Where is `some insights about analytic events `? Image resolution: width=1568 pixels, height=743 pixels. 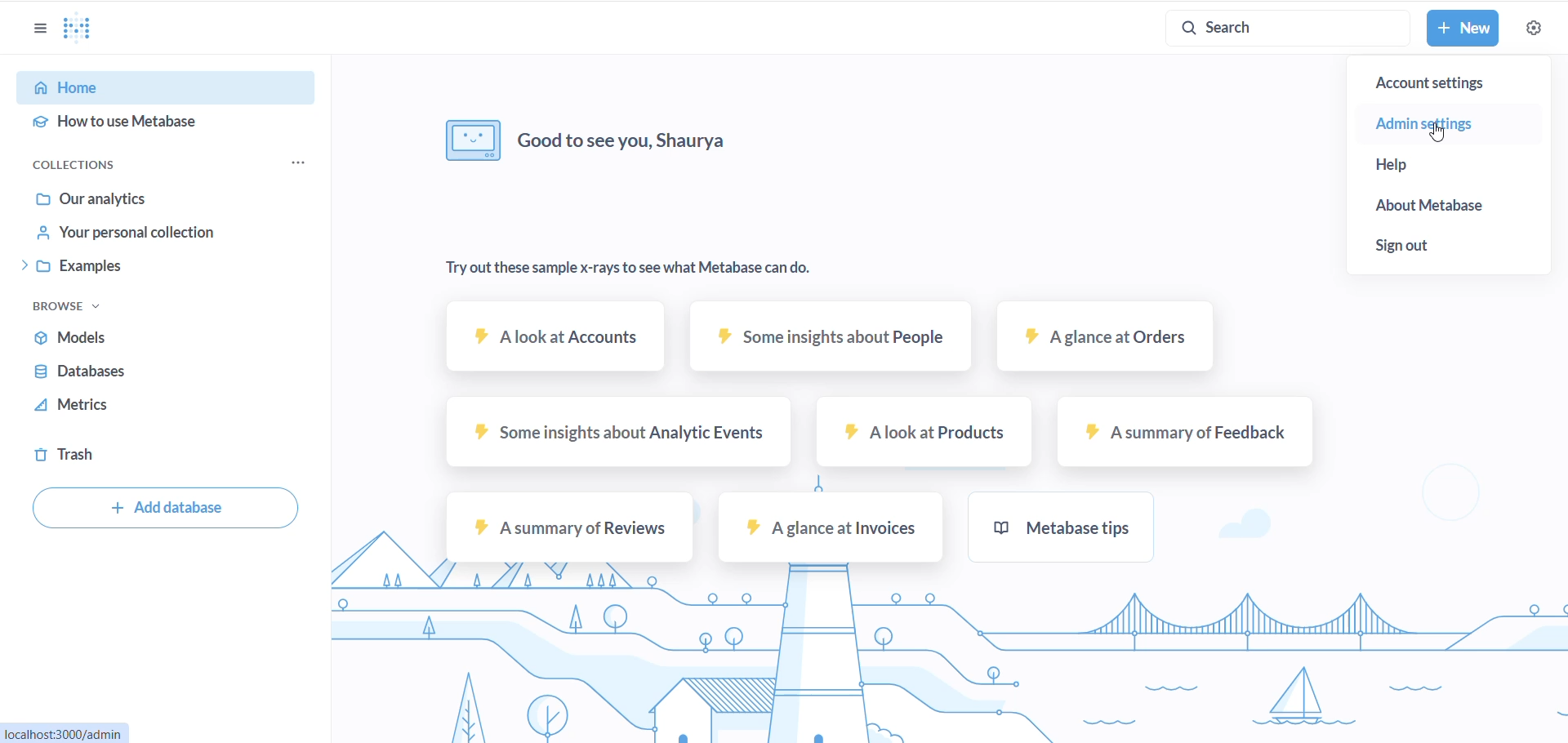 some insights about analytic events  is located at coordinates (615, 434).